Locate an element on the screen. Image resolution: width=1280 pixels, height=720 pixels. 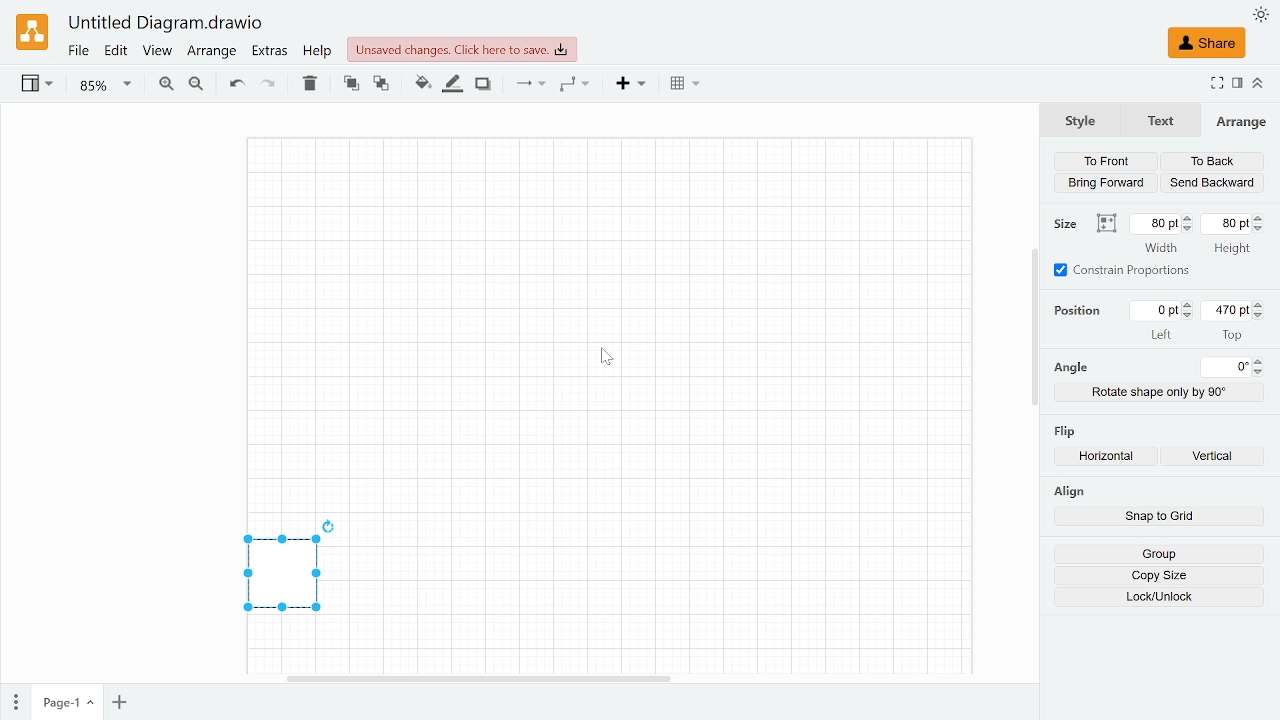
To font is located at coordinates (351, 84).